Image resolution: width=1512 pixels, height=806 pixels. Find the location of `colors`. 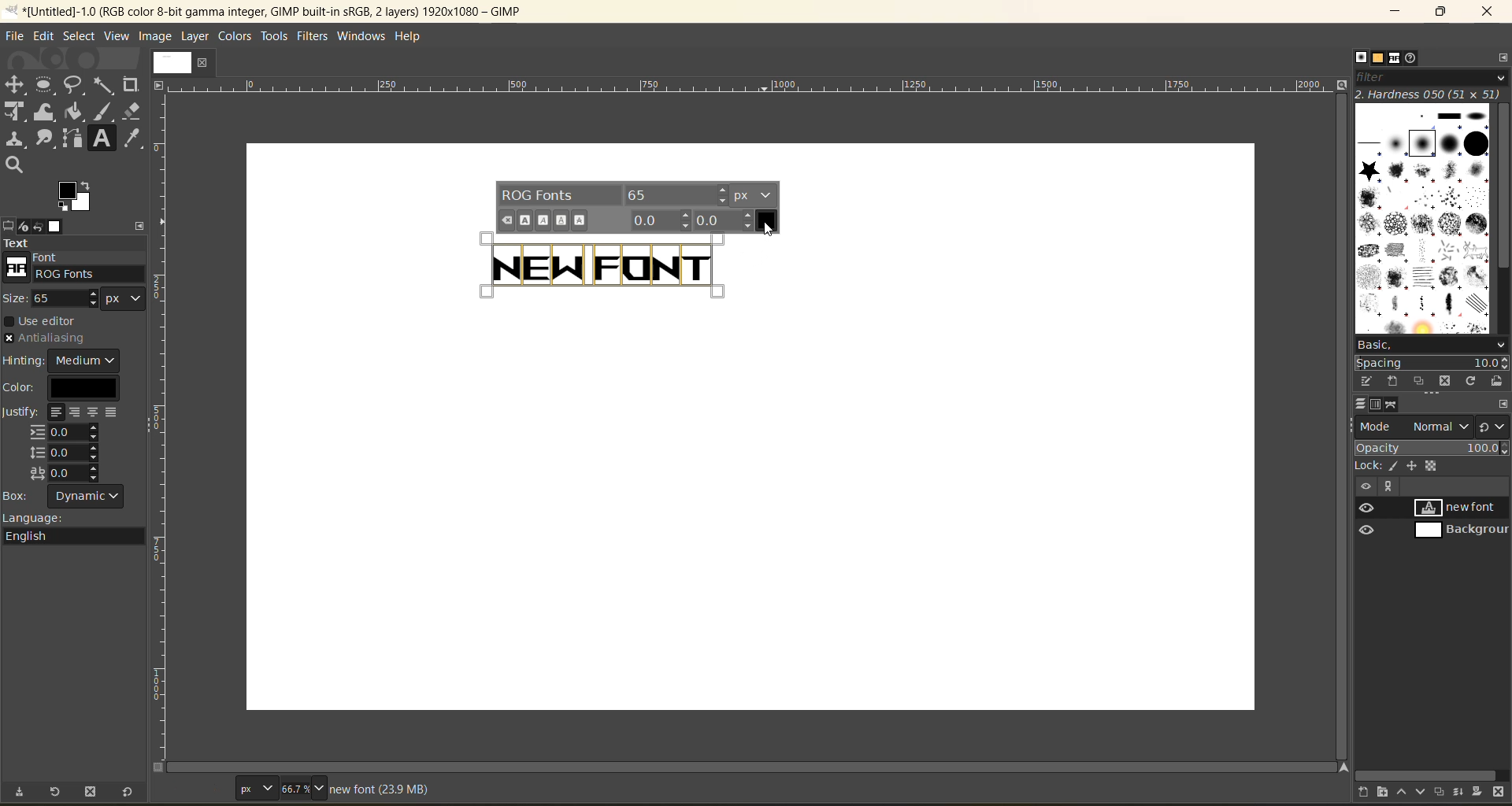

colors is located at coordinates (232, 36).